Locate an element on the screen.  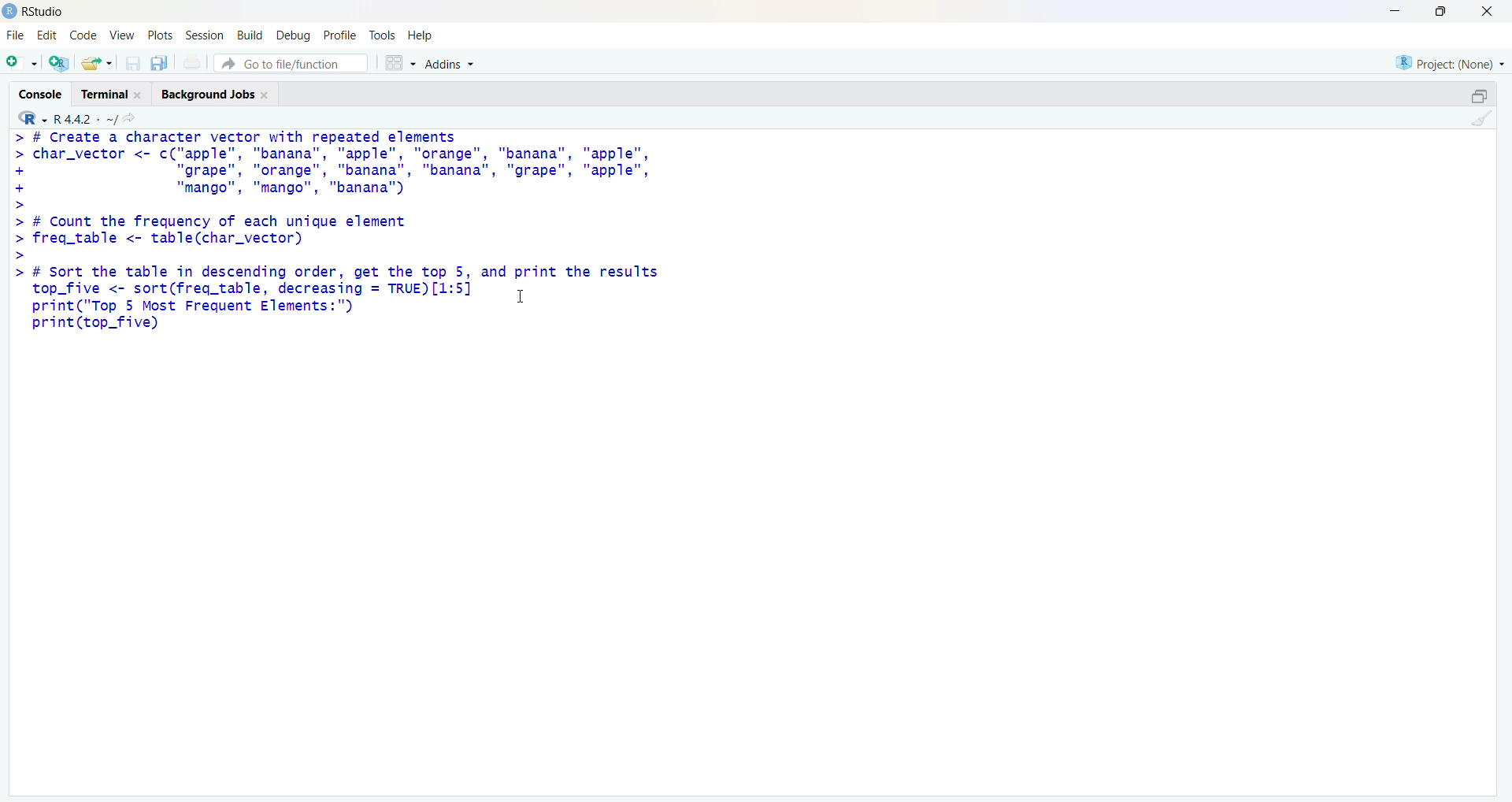
Debug is located at coordinates (294, 37).